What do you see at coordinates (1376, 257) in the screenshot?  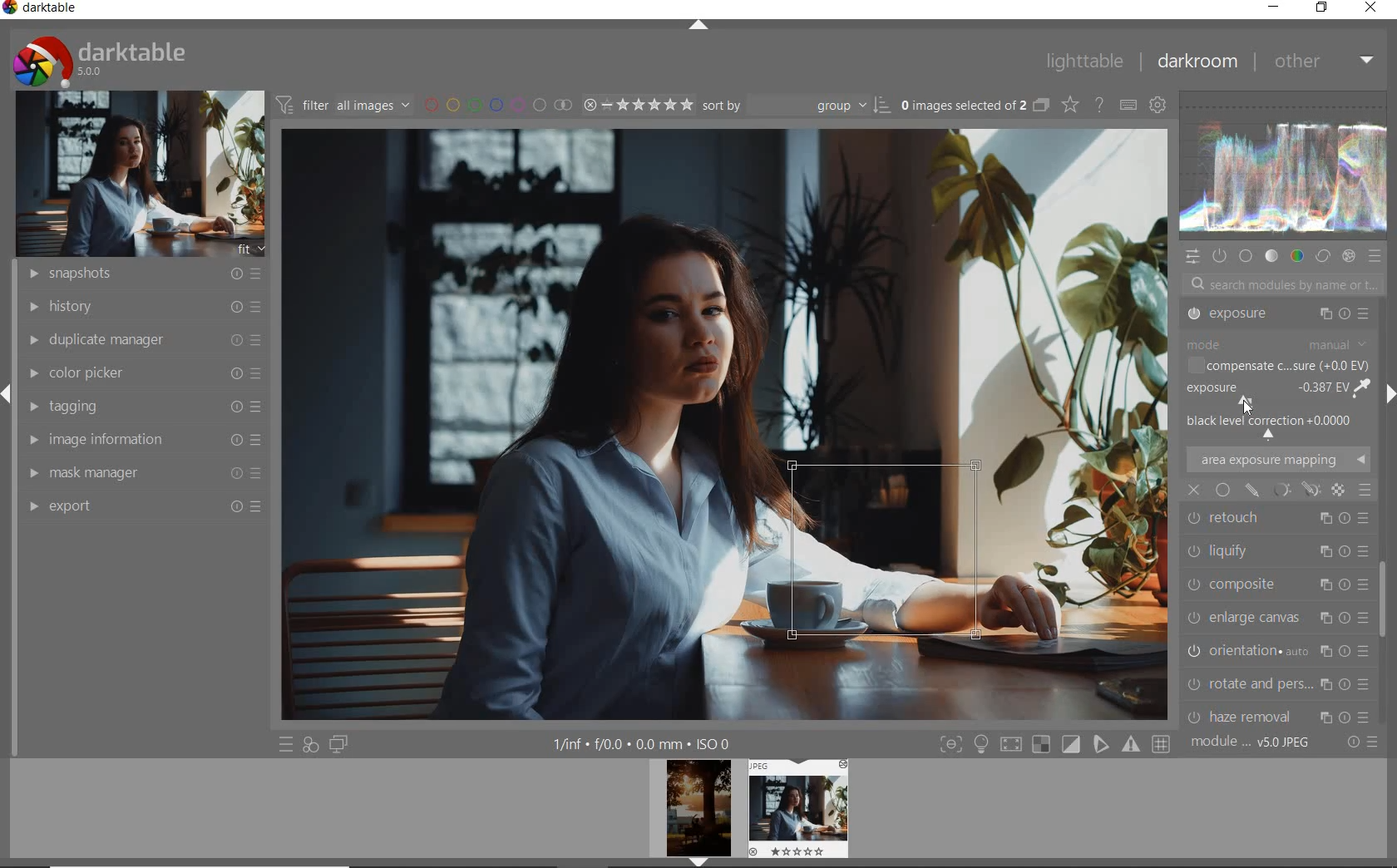 I see `PRESET` at bounding box center [1376, 257].